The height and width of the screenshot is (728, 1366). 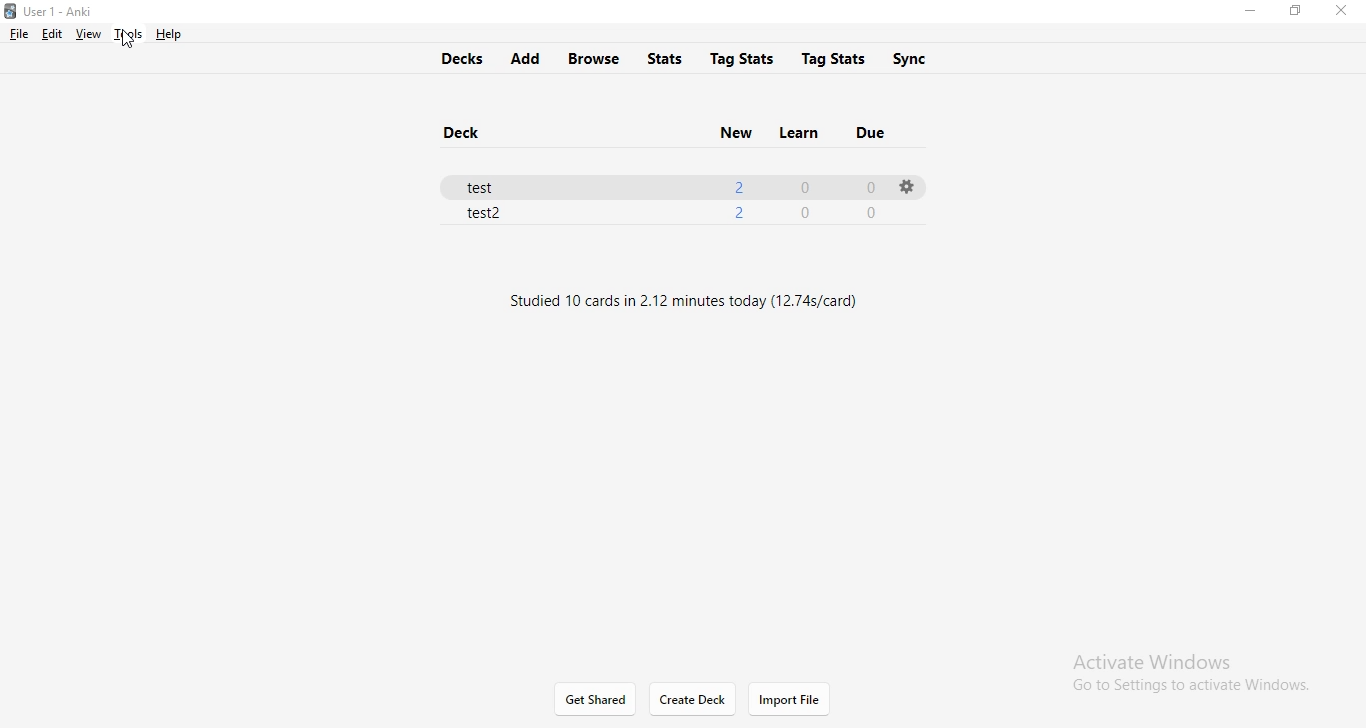 I want to click on learn, so click(x=796, y=130).